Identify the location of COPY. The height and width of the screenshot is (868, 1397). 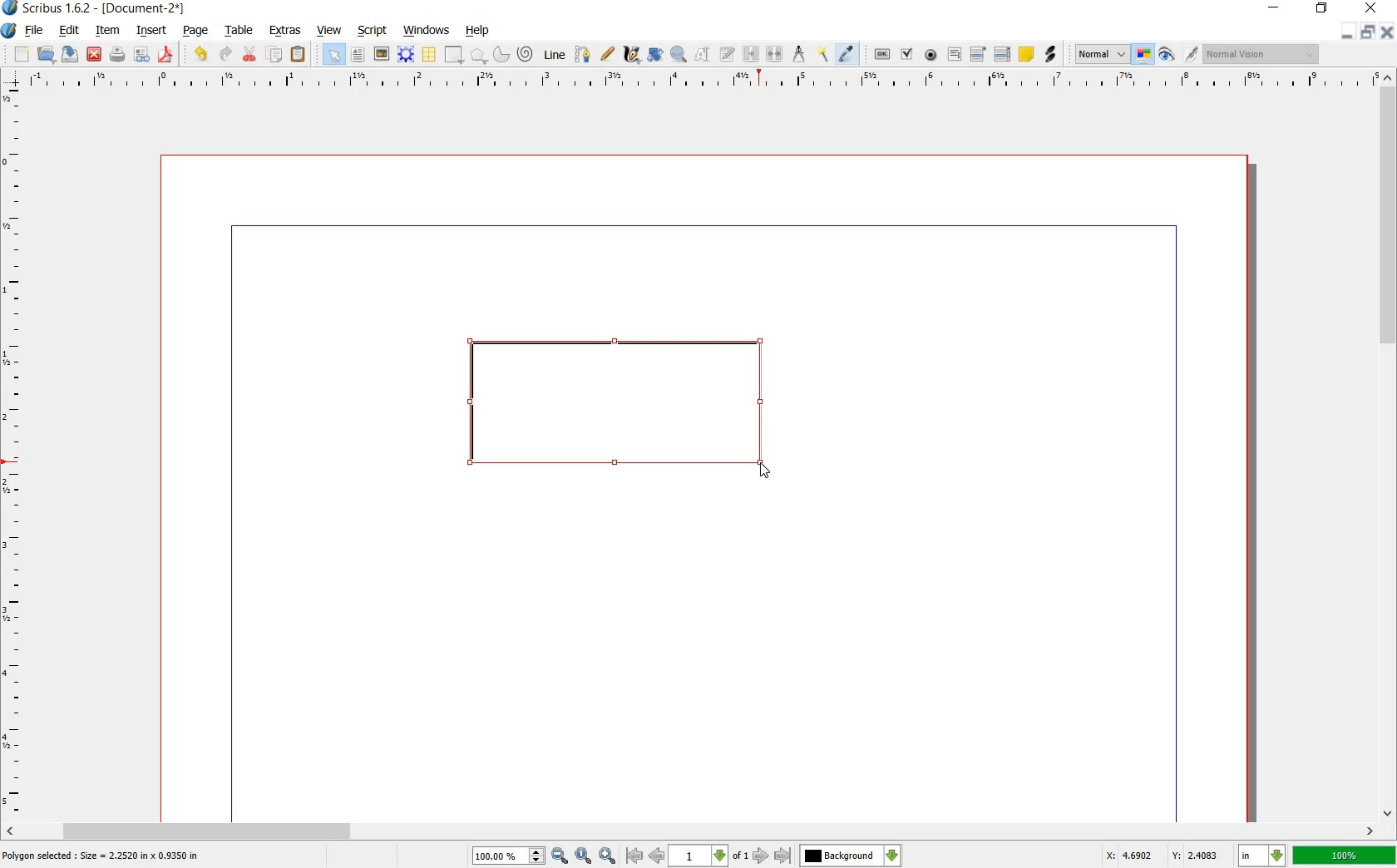
(276, 55).